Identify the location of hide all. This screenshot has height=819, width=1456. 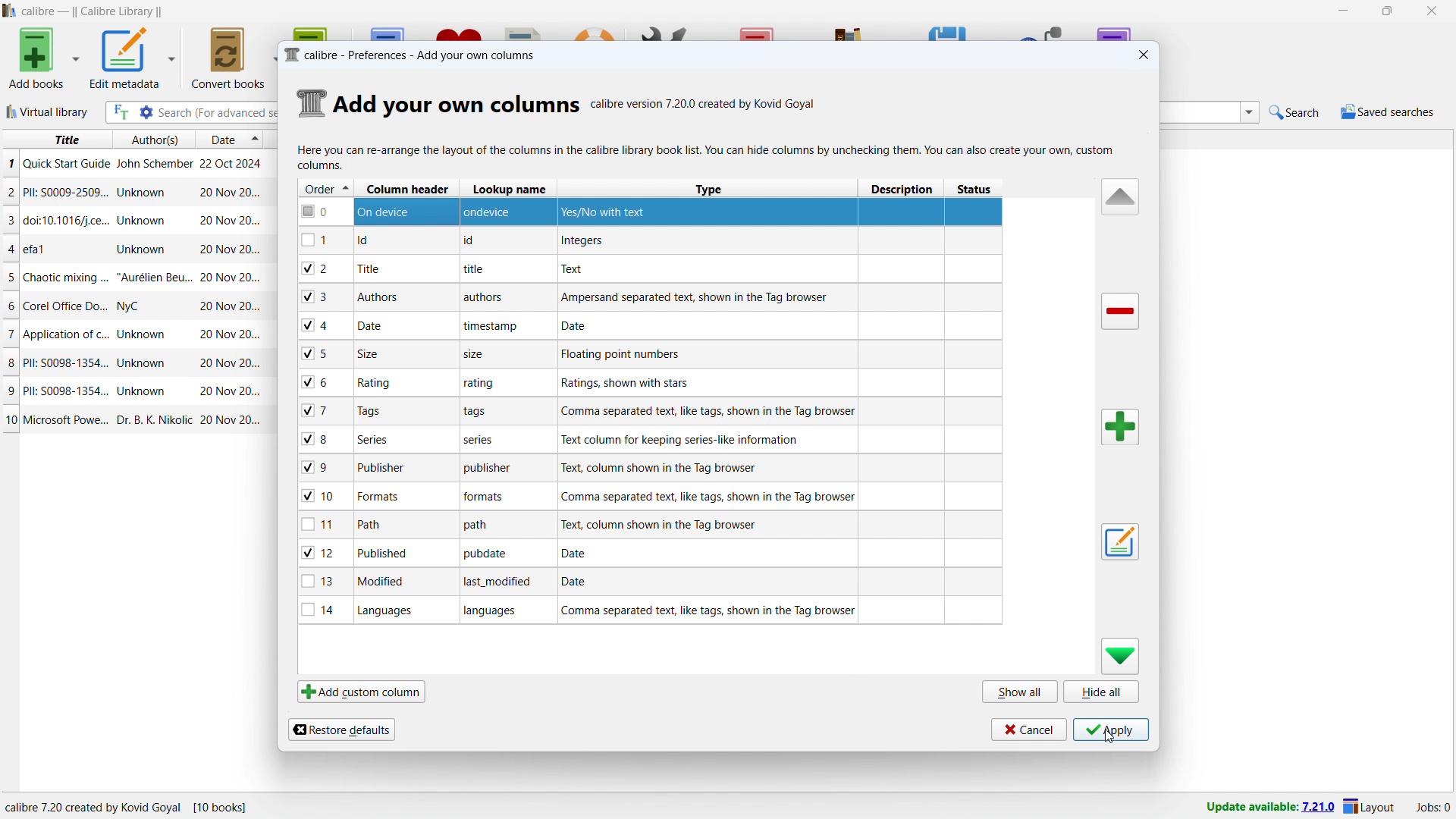
(1103, 692).